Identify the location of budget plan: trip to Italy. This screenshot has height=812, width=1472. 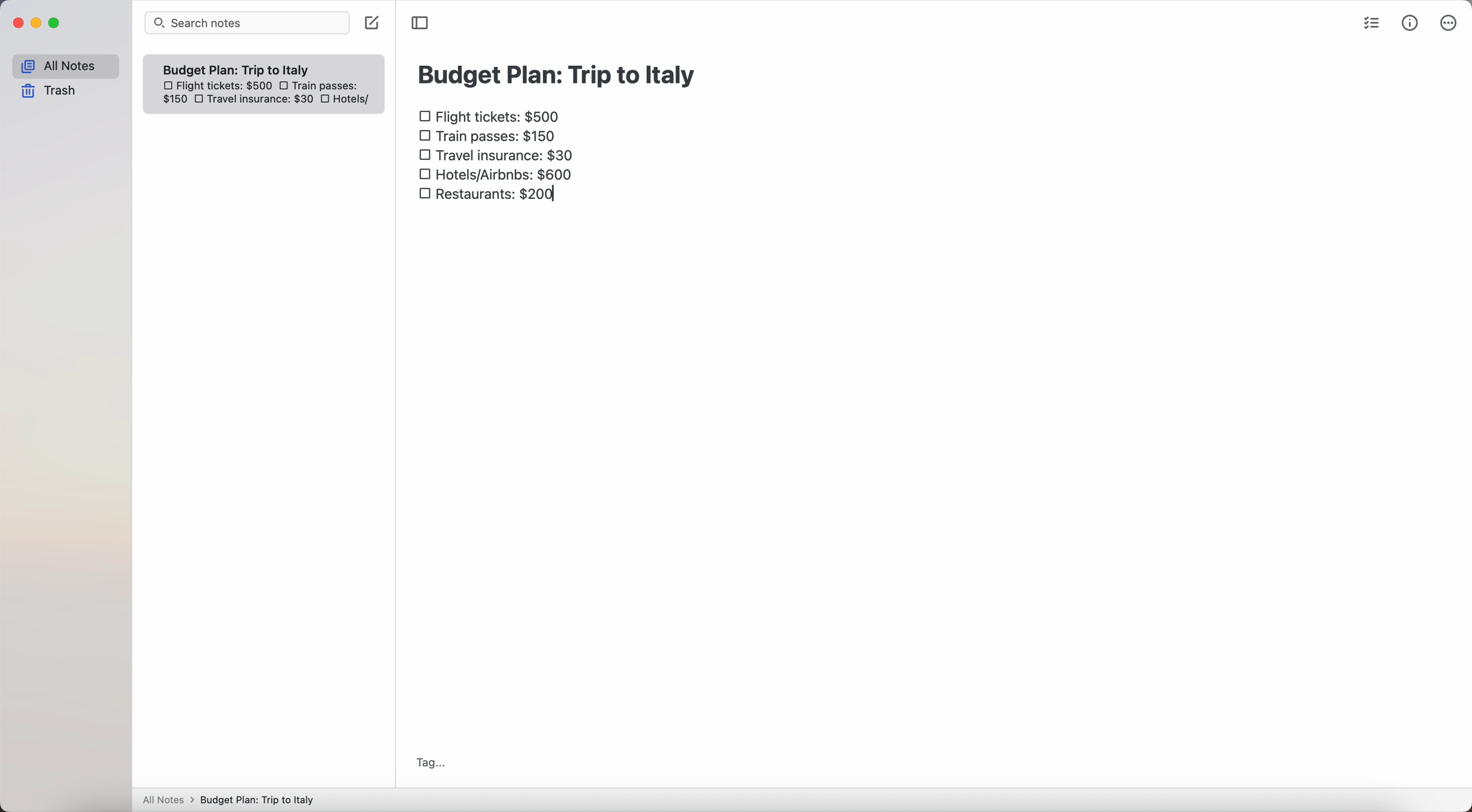
(559, 73).